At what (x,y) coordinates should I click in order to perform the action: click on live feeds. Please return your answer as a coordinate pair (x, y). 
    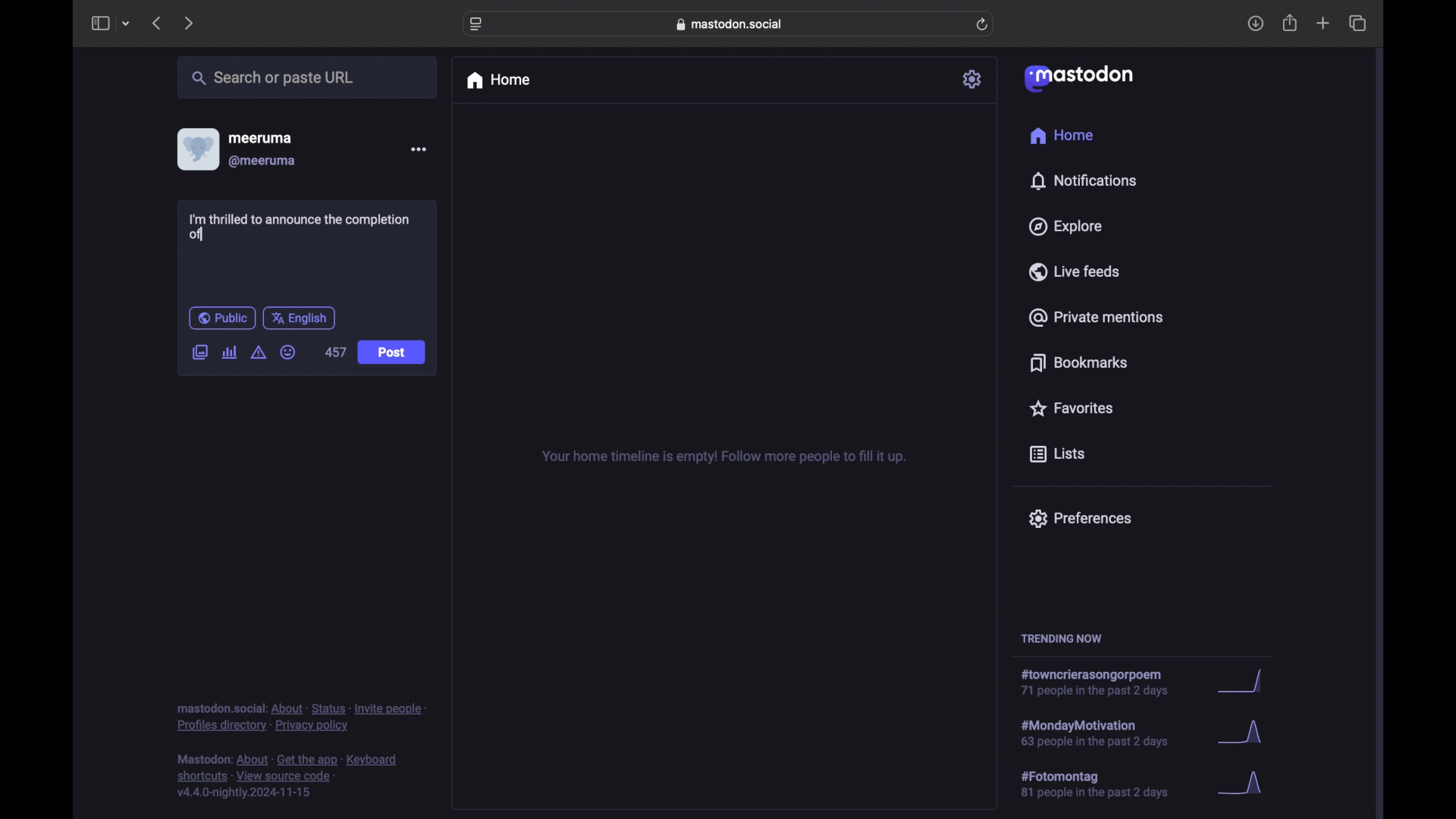
    Looking at the image, I should click on (1073, 271).